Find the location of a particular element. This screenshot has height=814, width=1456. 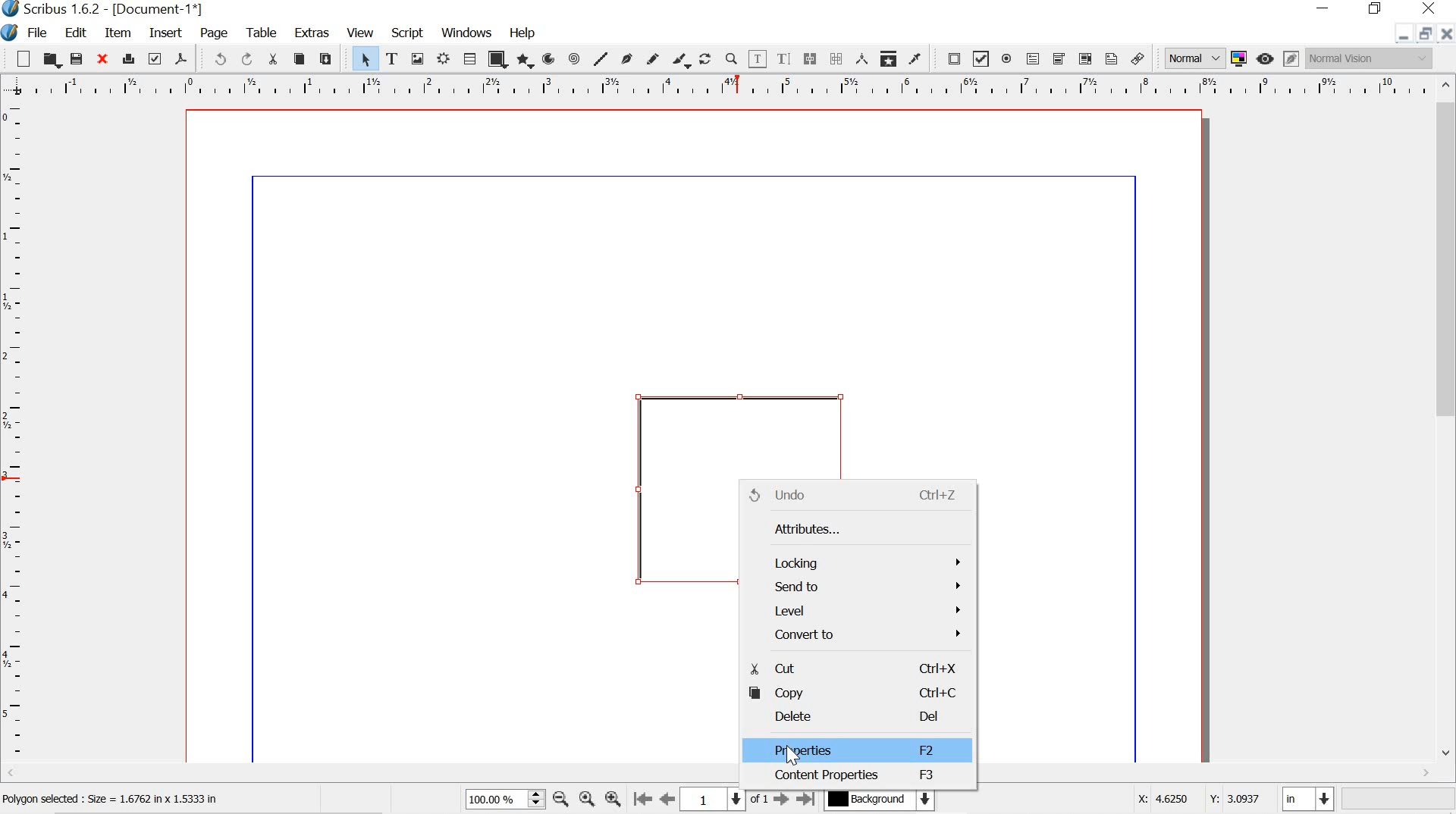

spiral is located at coordinates (575, 58).